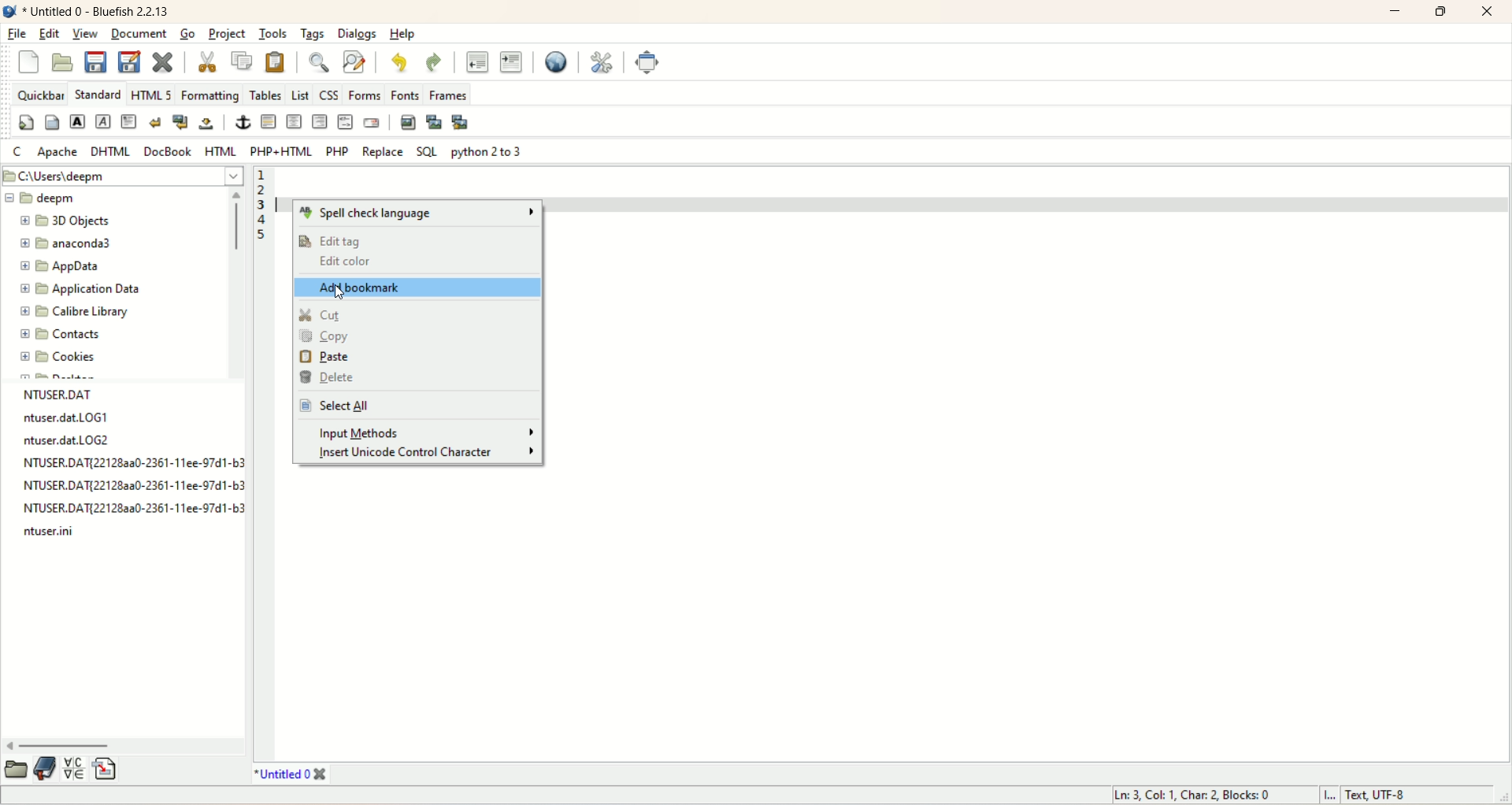 This screenshot has height=805, width=1512. Describe the element at coordinates (208, 125) in the screenshot. I see `non-breaking space` at that location.